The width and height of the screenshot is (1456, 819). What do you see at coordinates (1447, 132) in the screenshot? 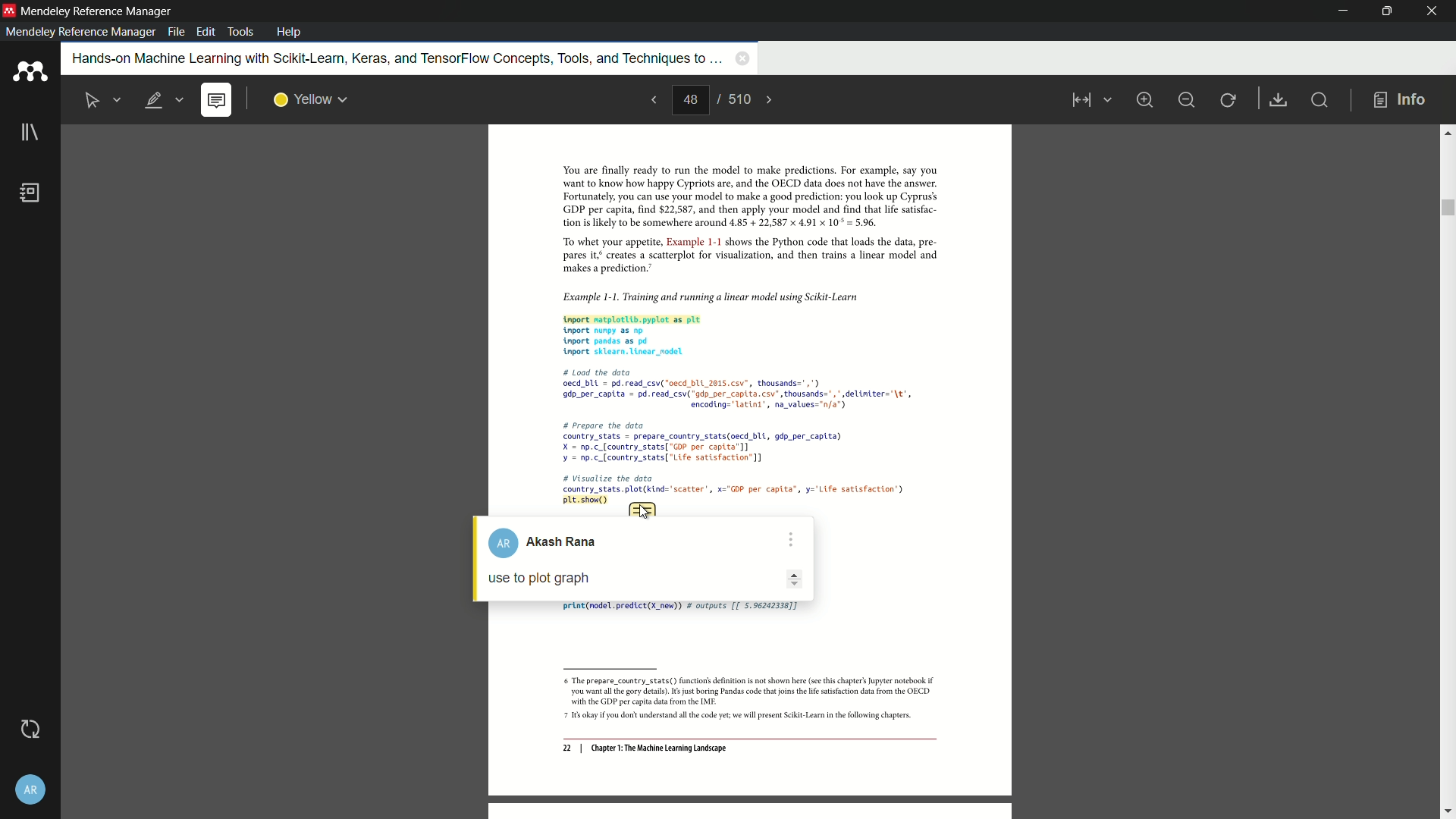
I see `scroll up` at bounding box center [1447, 132].